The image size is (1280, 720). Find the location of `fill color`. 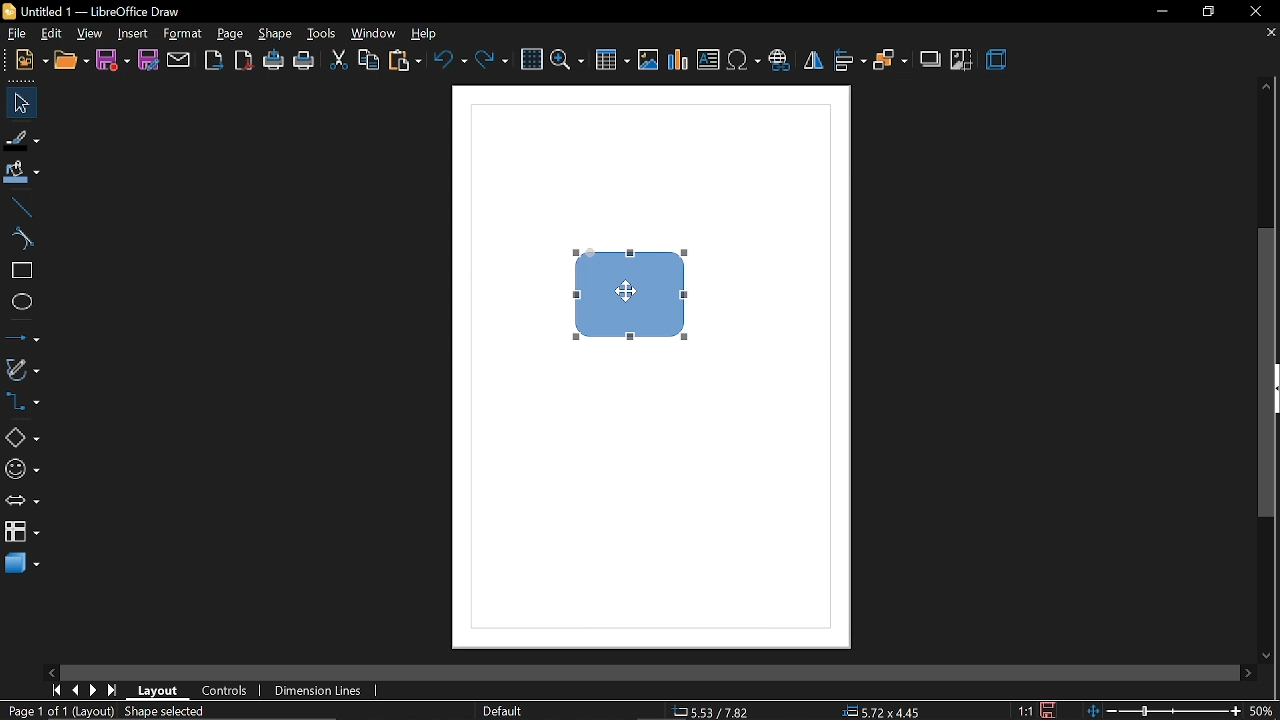

fill color is located at coordinates (22, 174).